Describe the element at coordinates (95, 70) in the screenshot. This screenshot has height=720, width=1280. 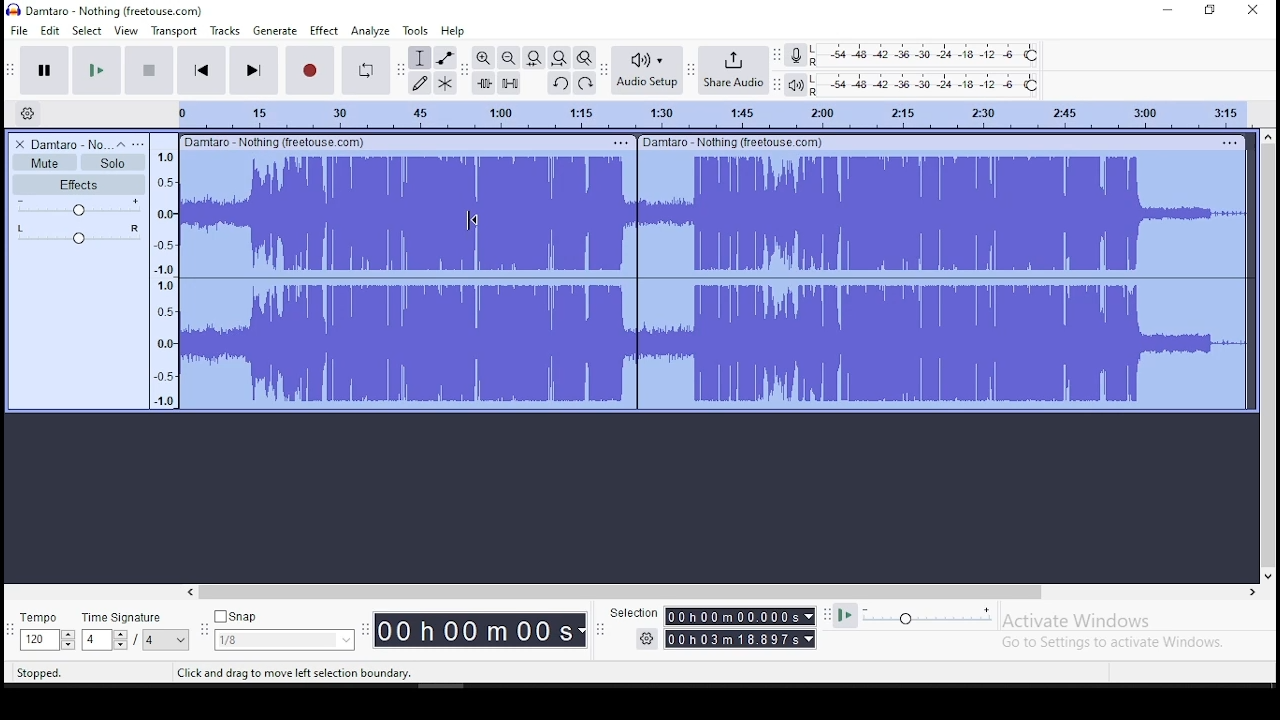
I see `play` at that location.